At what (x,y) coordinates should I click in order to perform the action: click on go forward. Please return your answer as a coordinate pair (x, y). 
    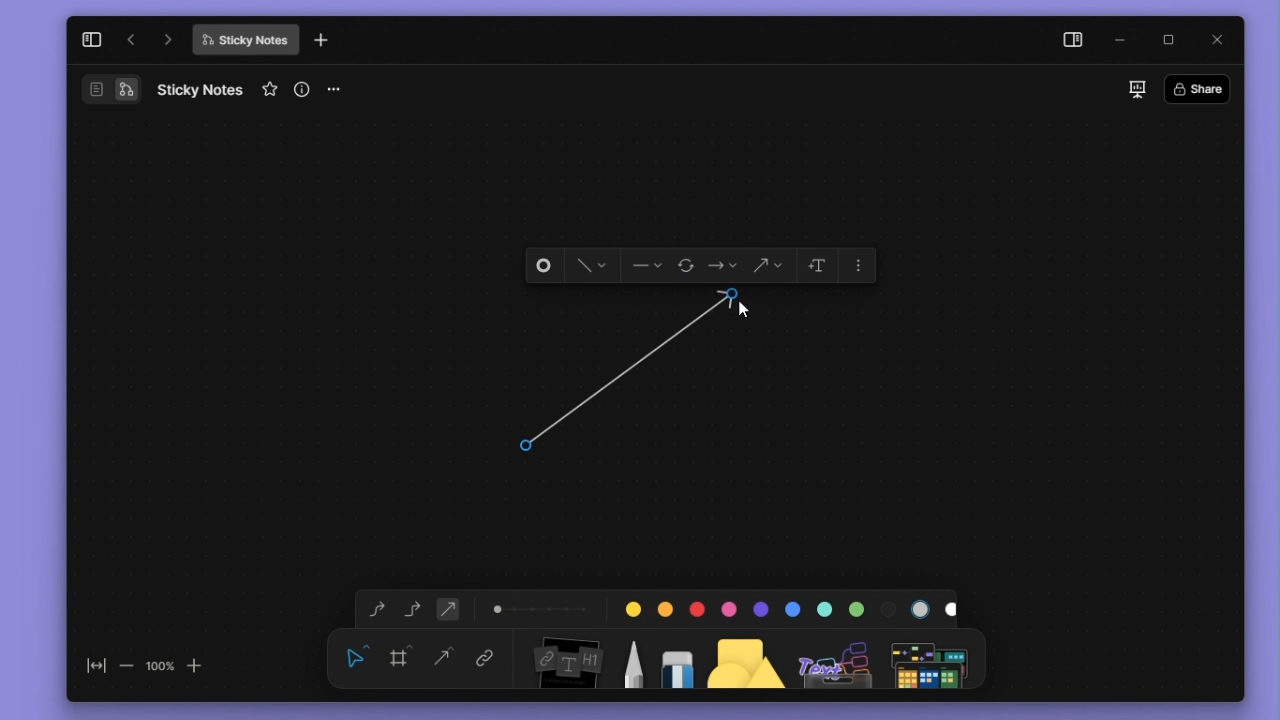
    Looking at the image, I should click on (168, 39).